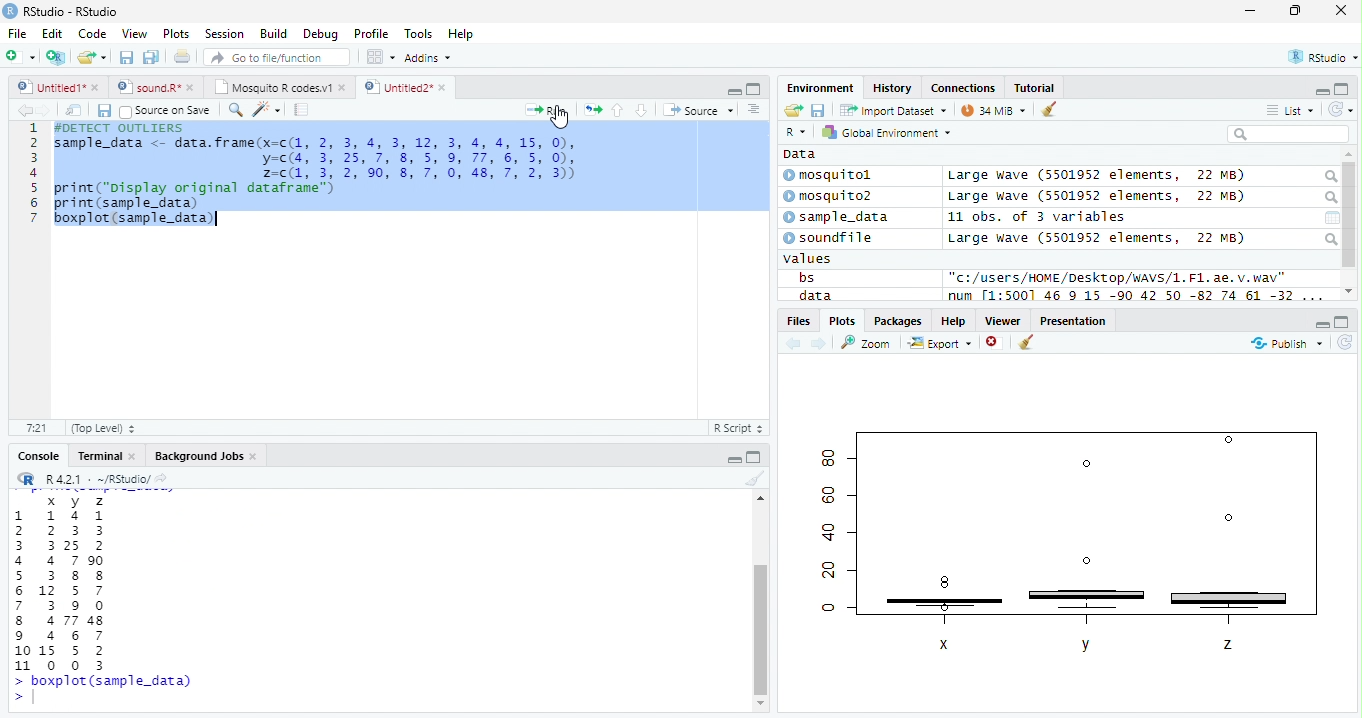  I want to click on Packages, so click(899, 321).